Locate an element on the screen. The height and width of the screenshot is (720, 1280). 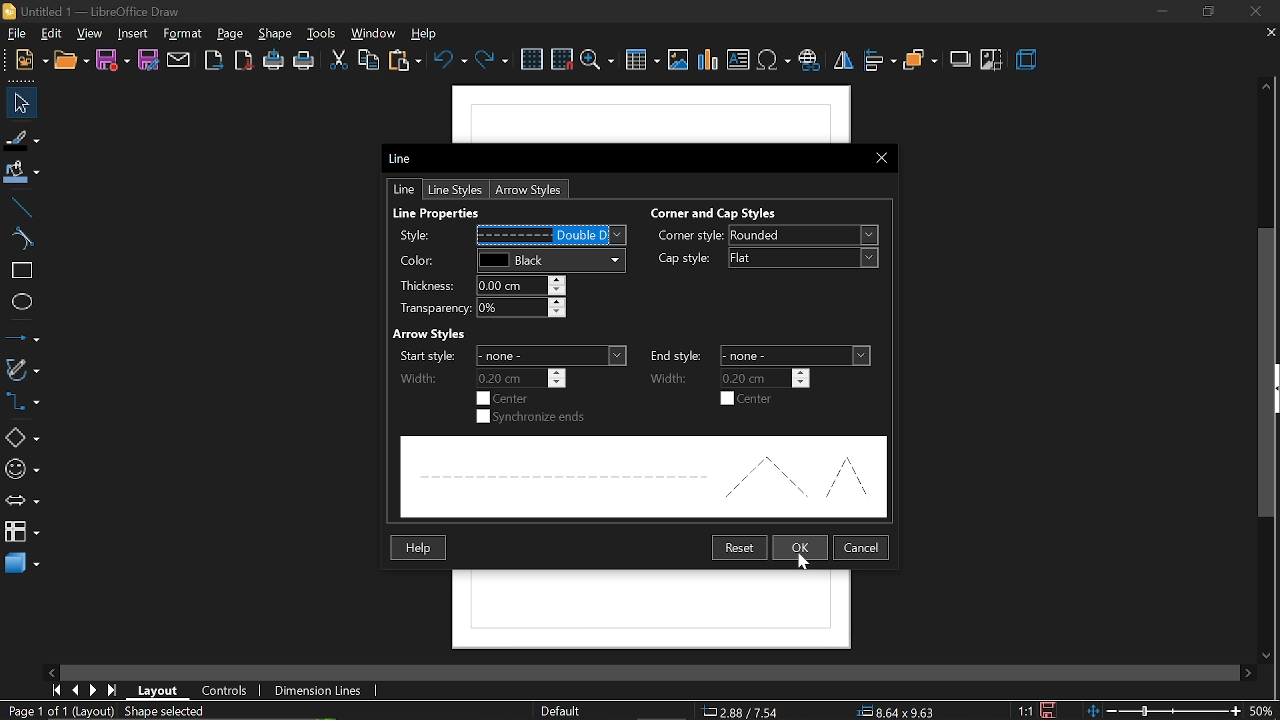
controls is located at coordinates (223, 690).